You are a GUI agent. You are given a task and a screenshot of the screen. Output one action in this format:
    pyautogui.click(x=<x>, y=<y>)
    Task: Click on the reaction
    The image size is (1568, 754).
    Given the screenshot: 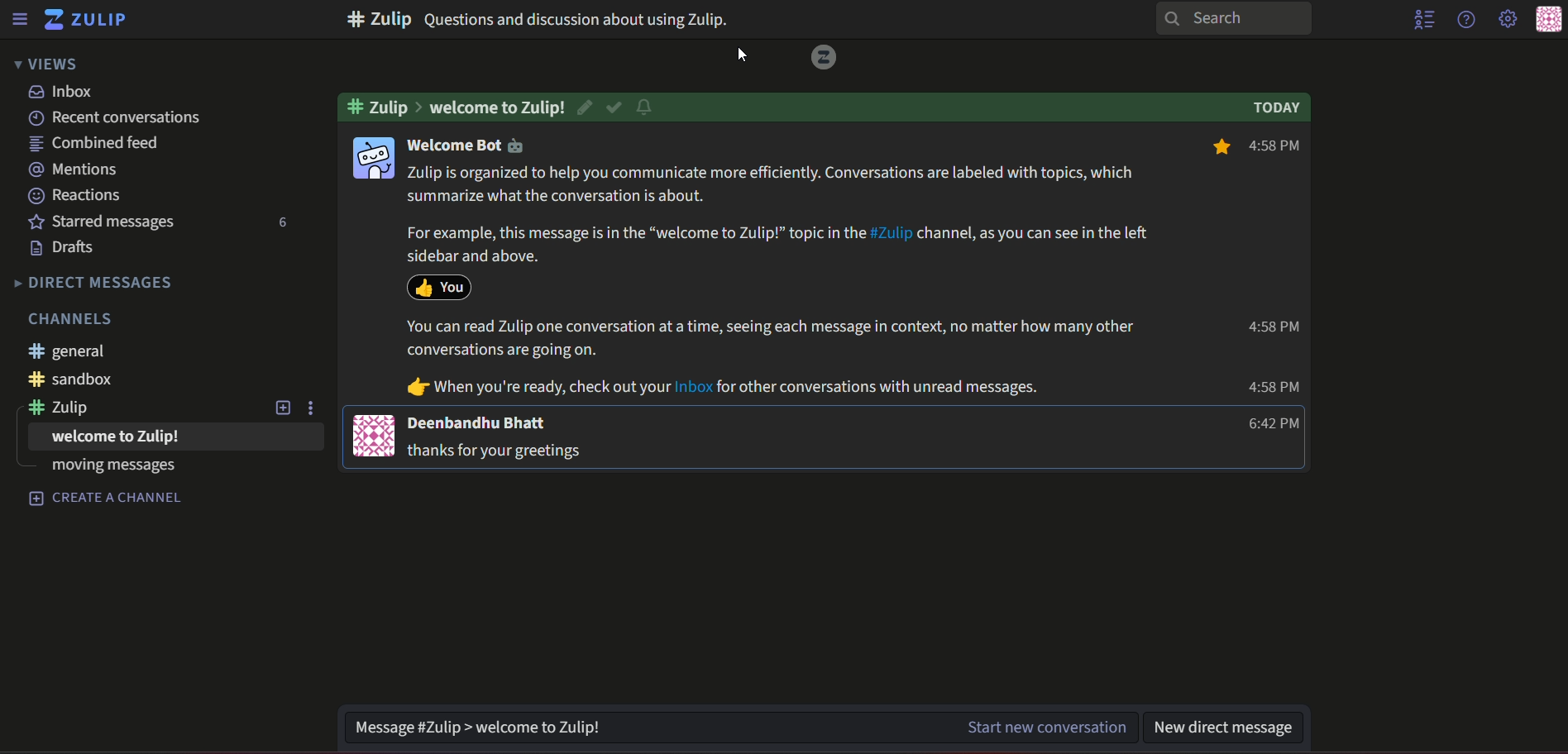 What is the action you would take?
    pyautogui.click(x=433, y=288)
    